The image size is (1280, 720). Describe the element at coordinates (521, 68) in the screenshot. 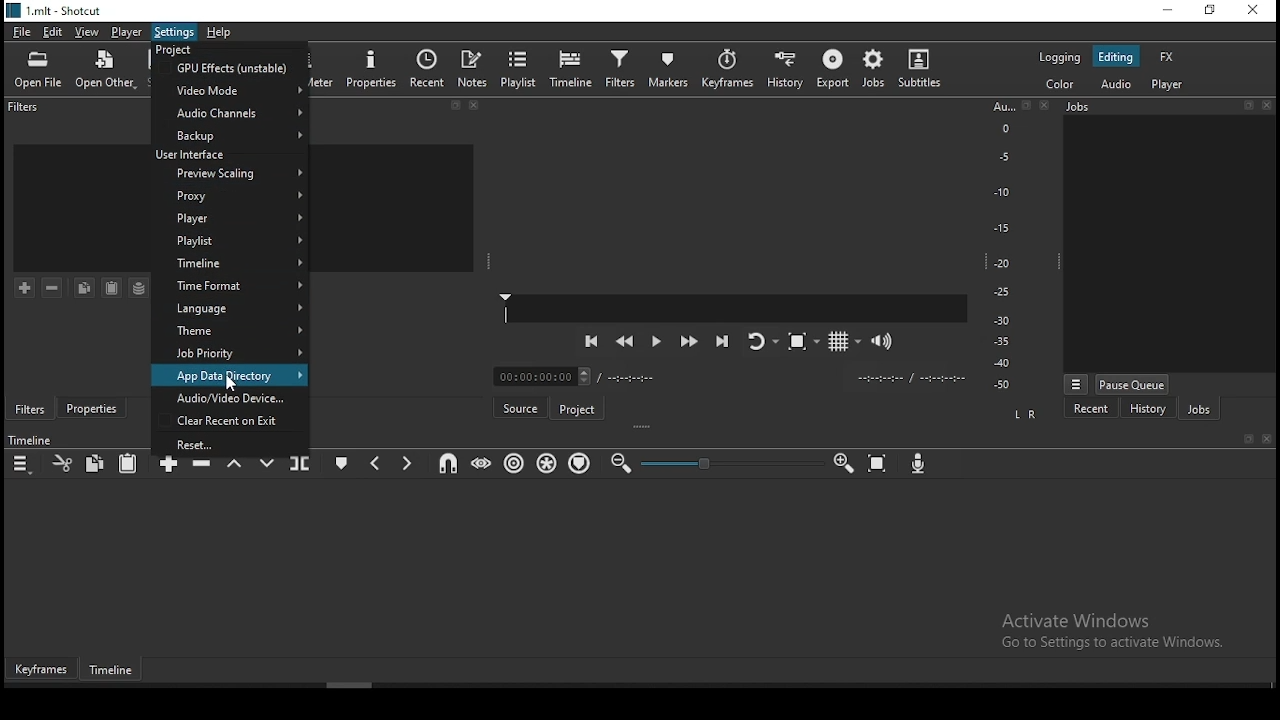

I see `playlist` at that location.